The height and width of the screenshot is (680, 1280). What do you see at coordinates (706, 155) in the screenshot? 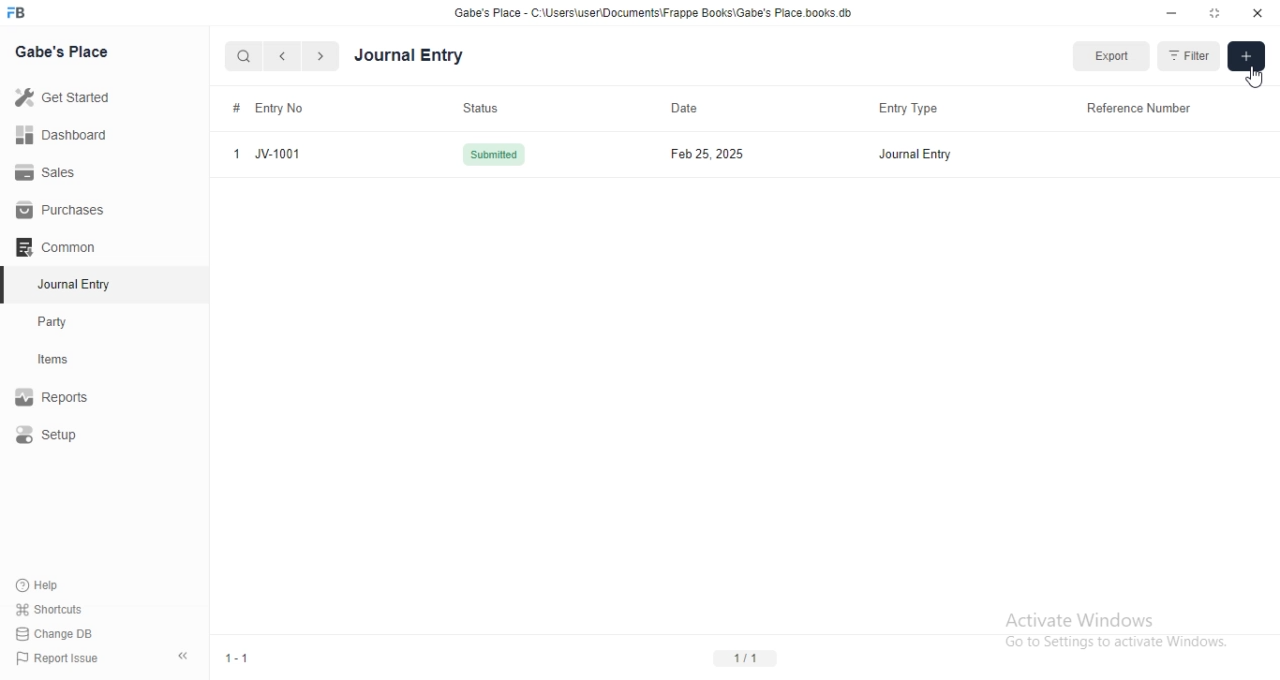
I see `Feb 25, 2025` at bounding box center [706, 155].